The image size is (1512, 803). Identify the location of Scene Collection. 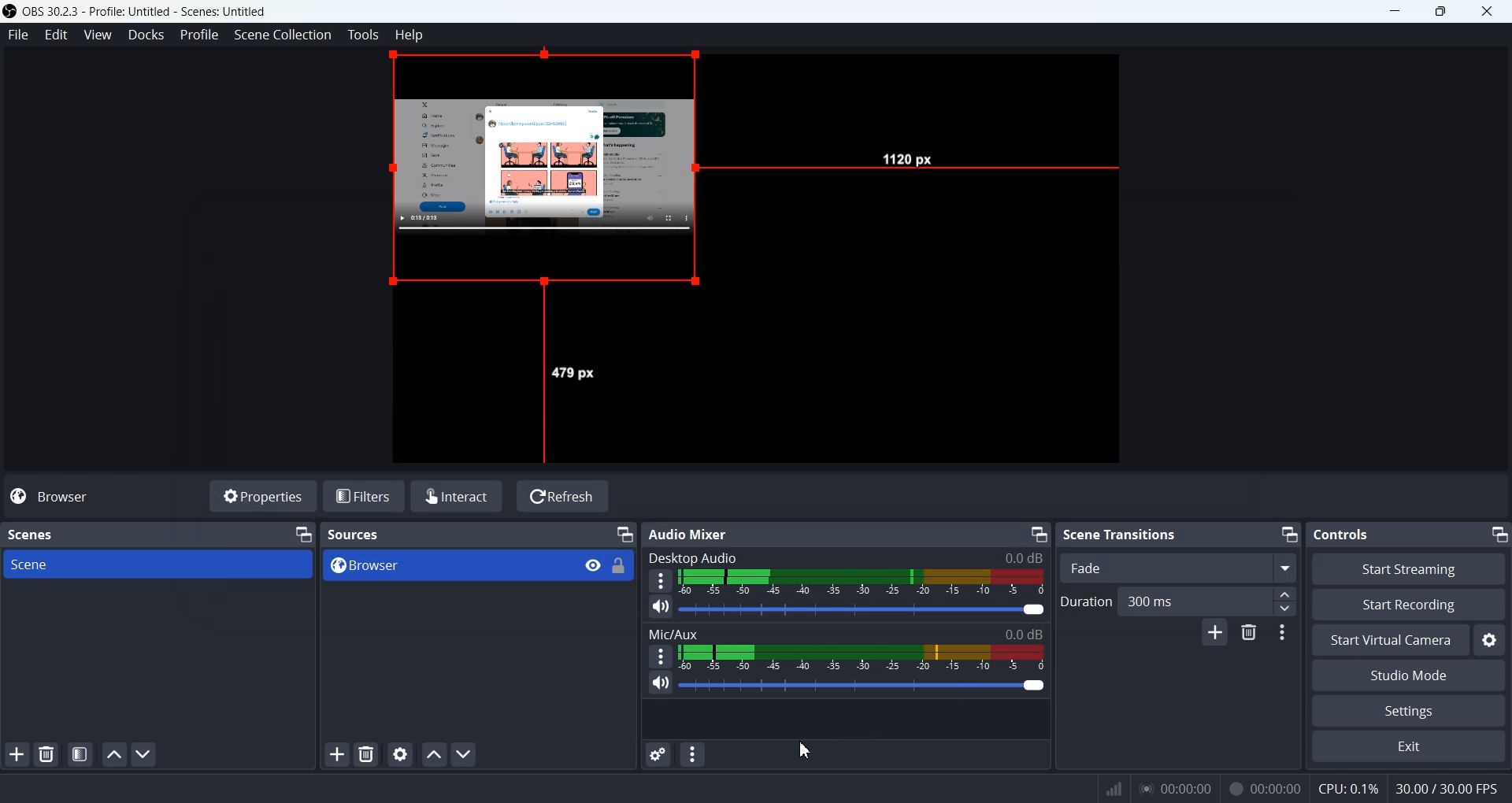
(283, 35).